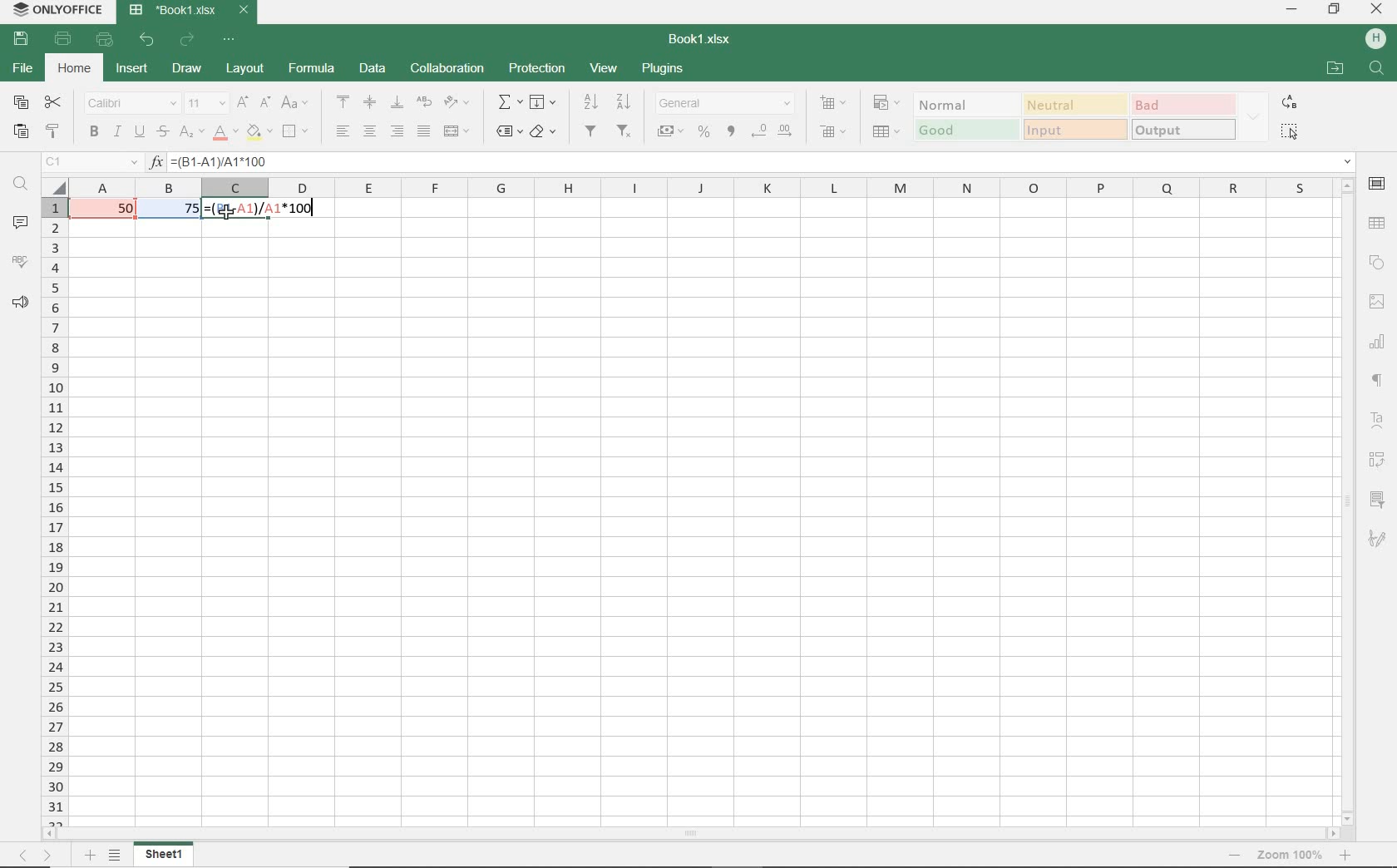  What do you see at coordinates (1377, 262) in the screenshot?
I see `shapes` at bounding box center [1377, 262].